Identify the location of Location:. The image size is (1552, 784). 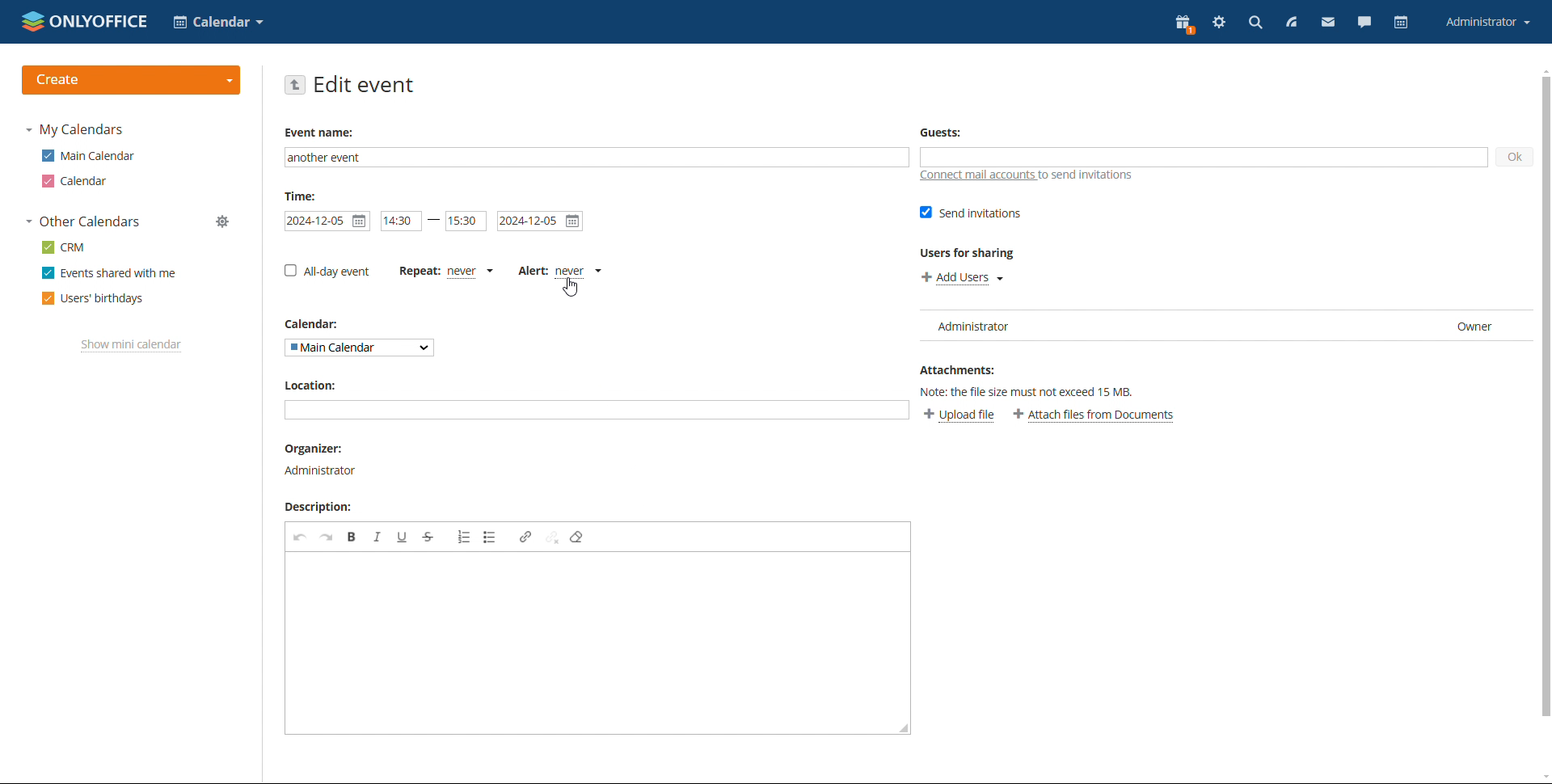
(309, 385).